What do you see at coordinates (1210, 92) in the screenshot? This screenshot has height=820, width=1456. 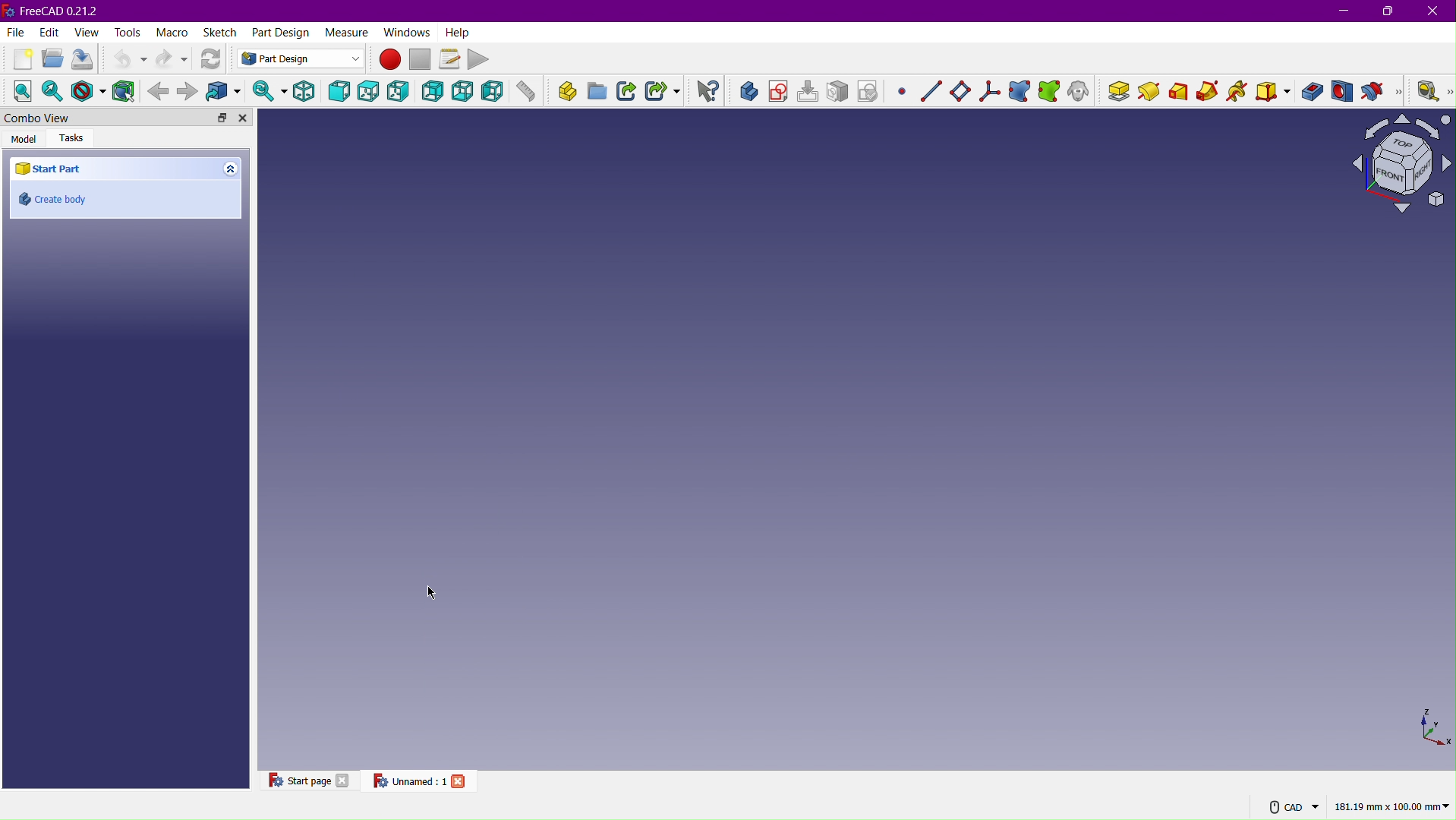 I see `Additive pipe` at bounding box center [1210, 92].